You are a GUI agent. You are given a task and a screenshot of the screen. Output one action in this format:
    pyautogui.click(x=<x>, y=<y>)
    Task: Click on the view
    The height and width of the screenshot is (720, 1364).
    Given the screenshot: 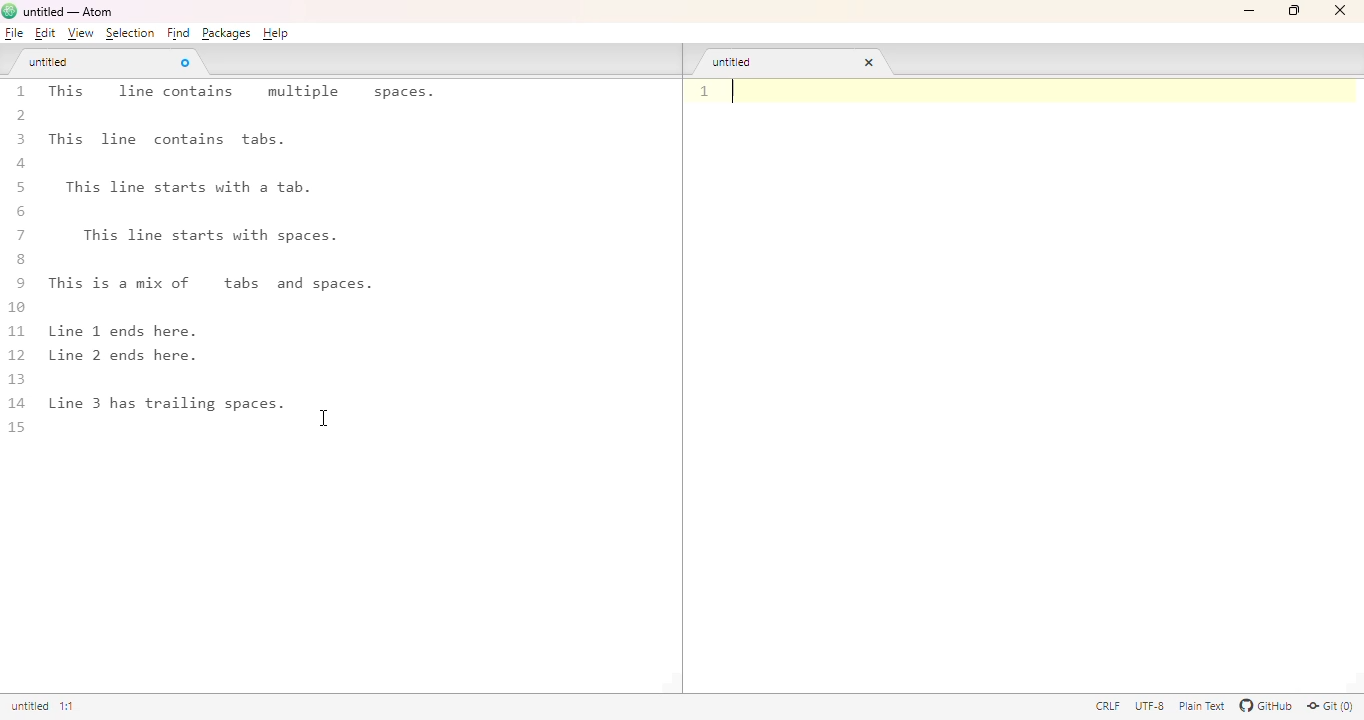 What is the action you would take?
    pyautogui.click(x=80, y=34)
    